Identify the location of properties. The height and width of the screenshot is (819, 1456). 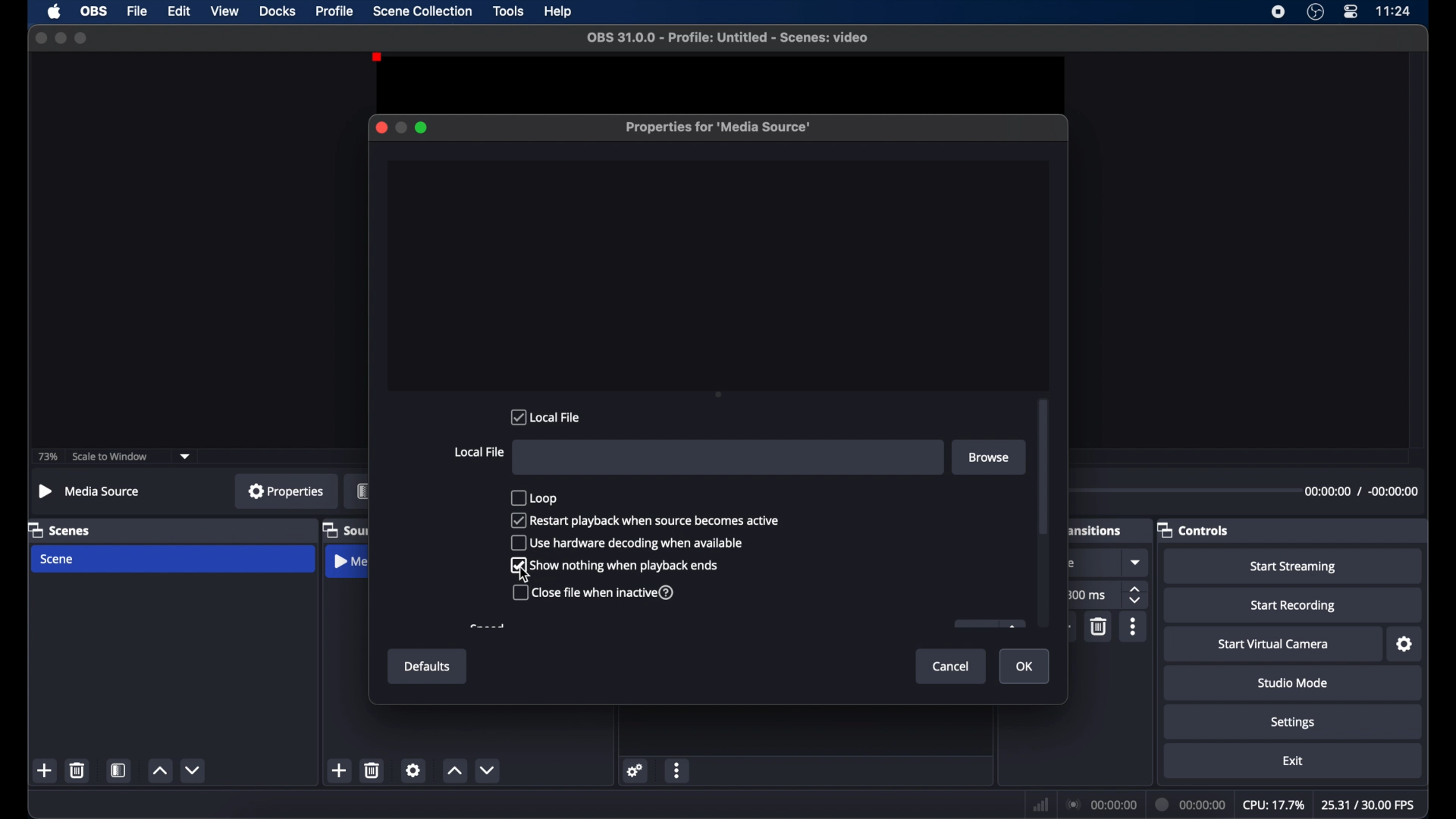
(286, 491).